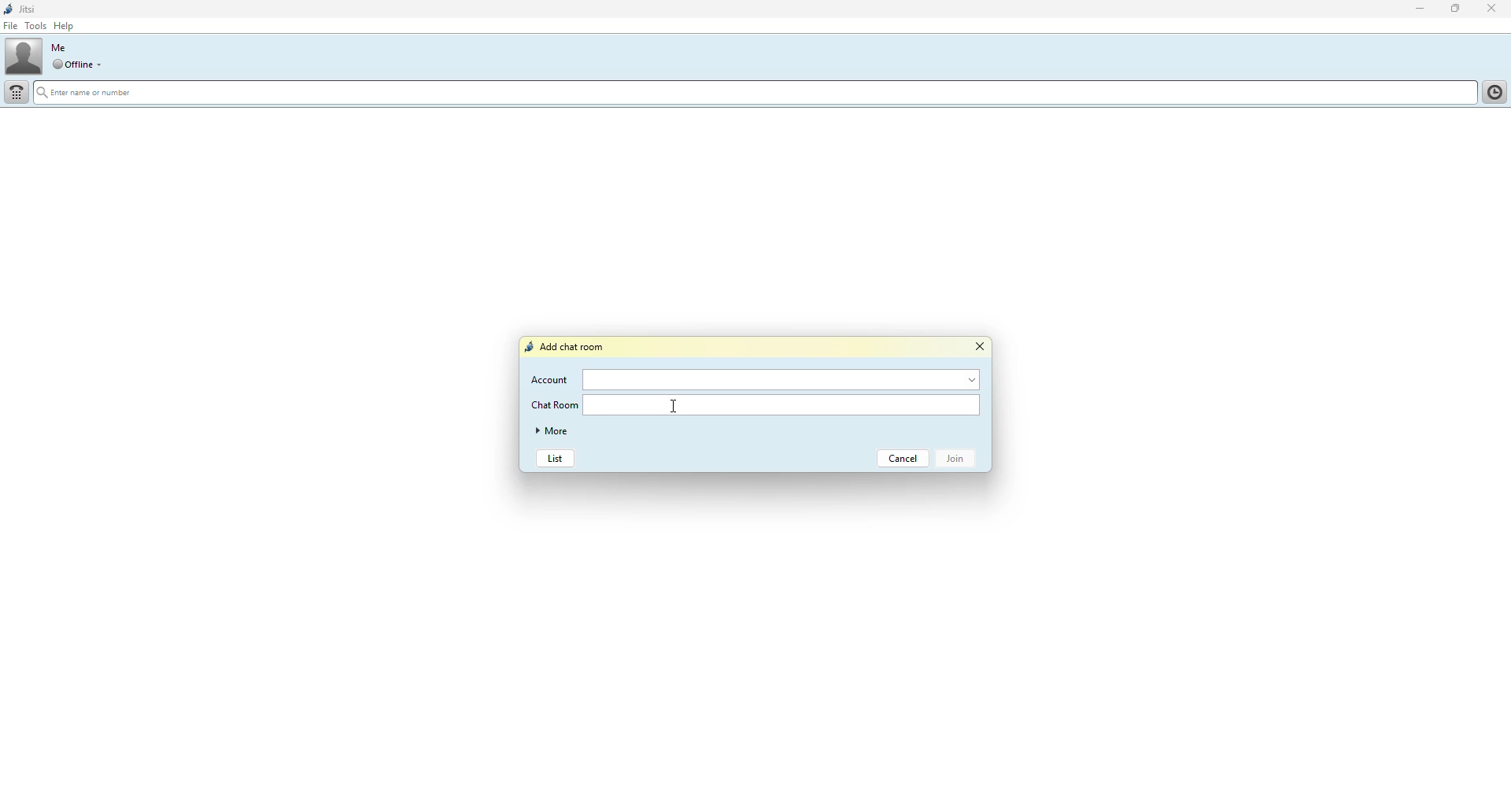  Describe the element at coordinates (24, 56) in the screenshot. I see `profile` at that location.